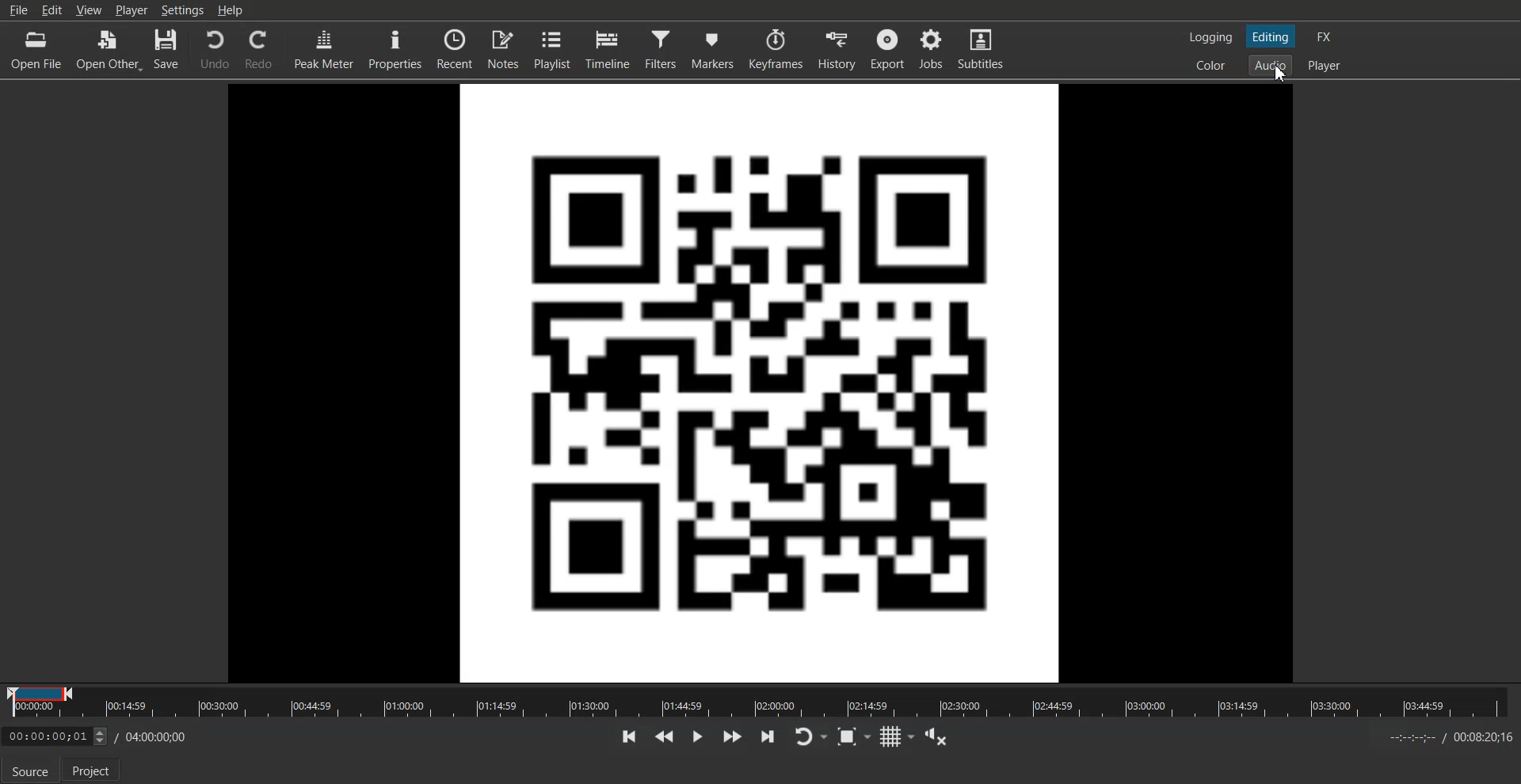 Image resolution: width=1521 pixels, height=784 pixels. I want to click on Switch to the effect layout, so click(1325, 36).